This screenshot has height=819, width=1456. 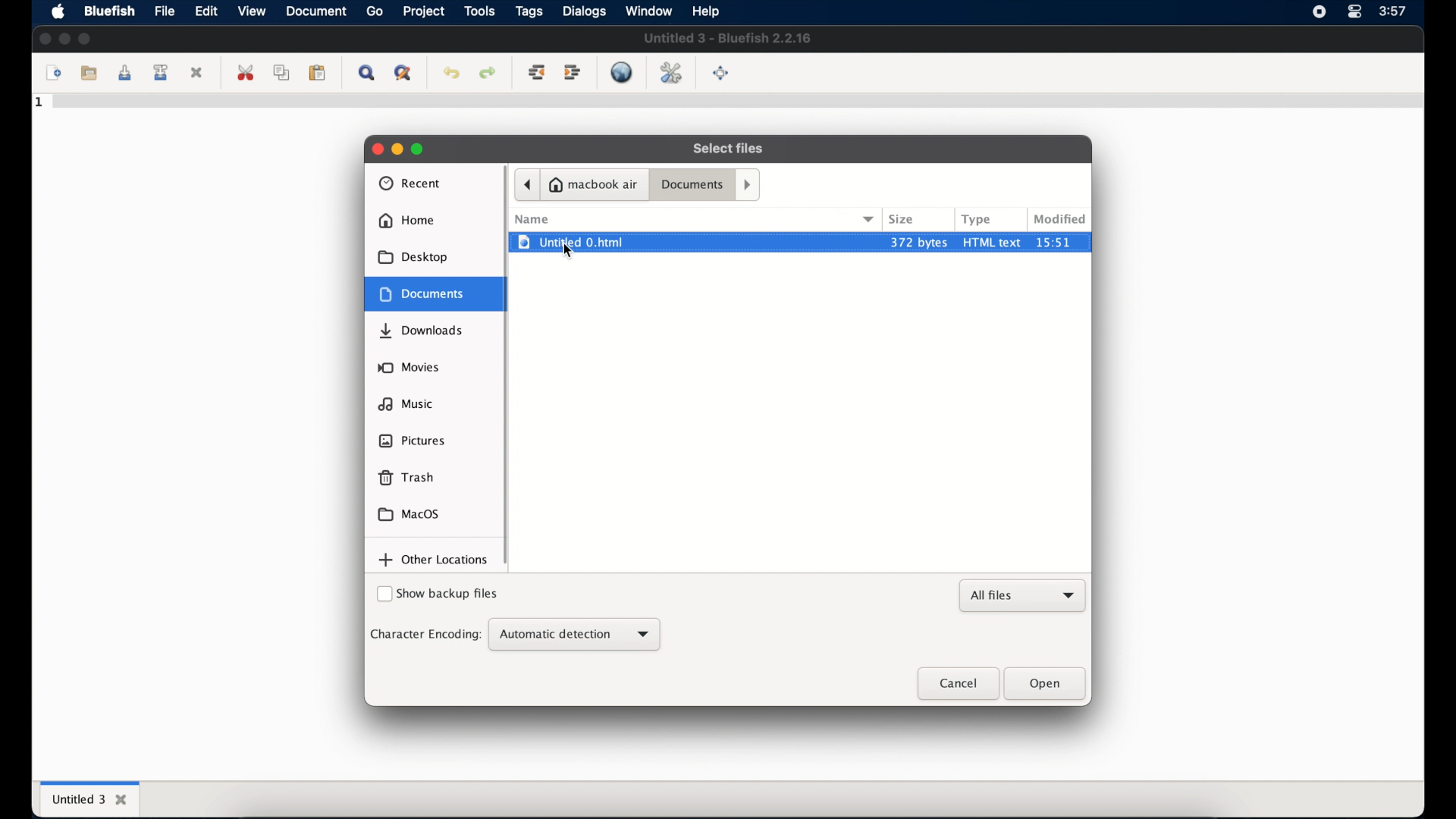 I want to click on tags, so click(x=529, y=11).